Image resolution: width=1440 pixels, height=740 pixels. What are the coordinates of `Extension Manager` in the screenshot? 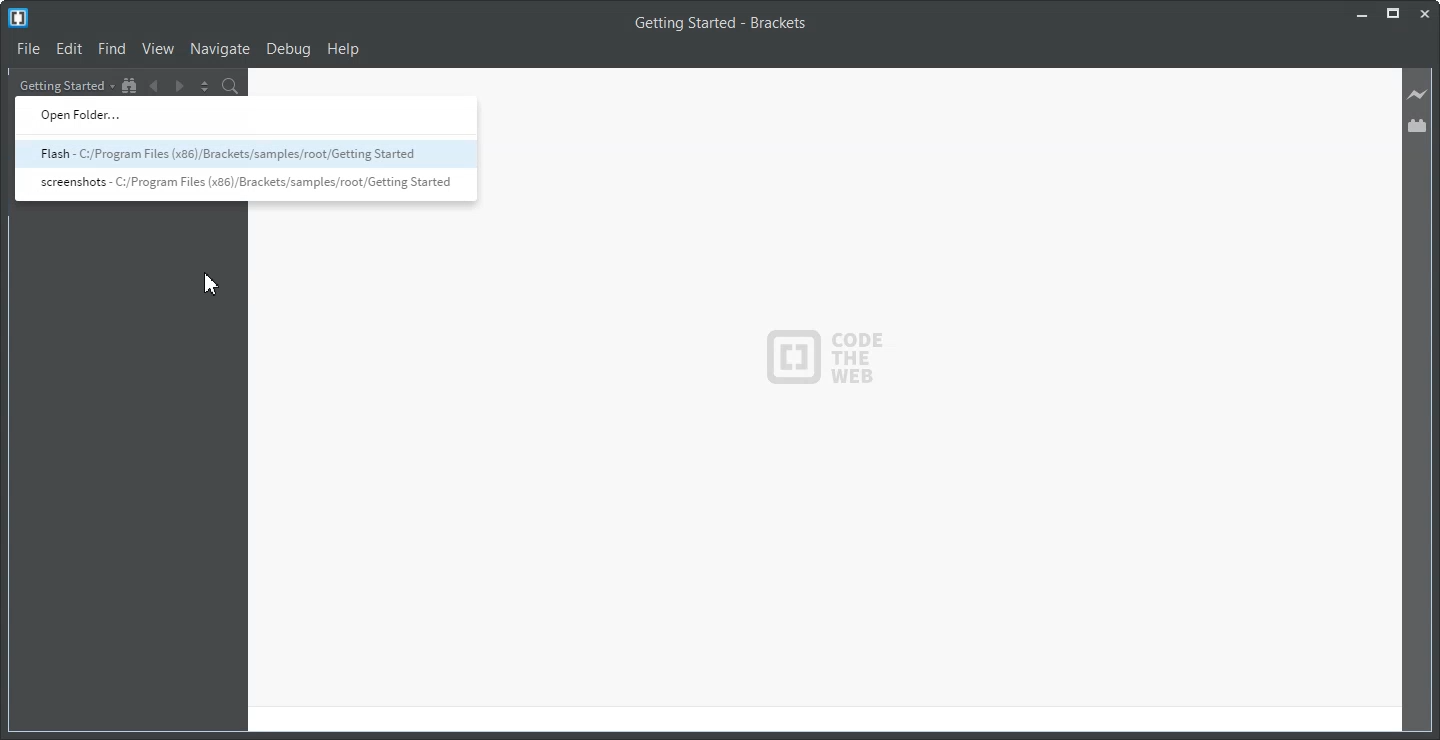 It's located at (1418, 125).